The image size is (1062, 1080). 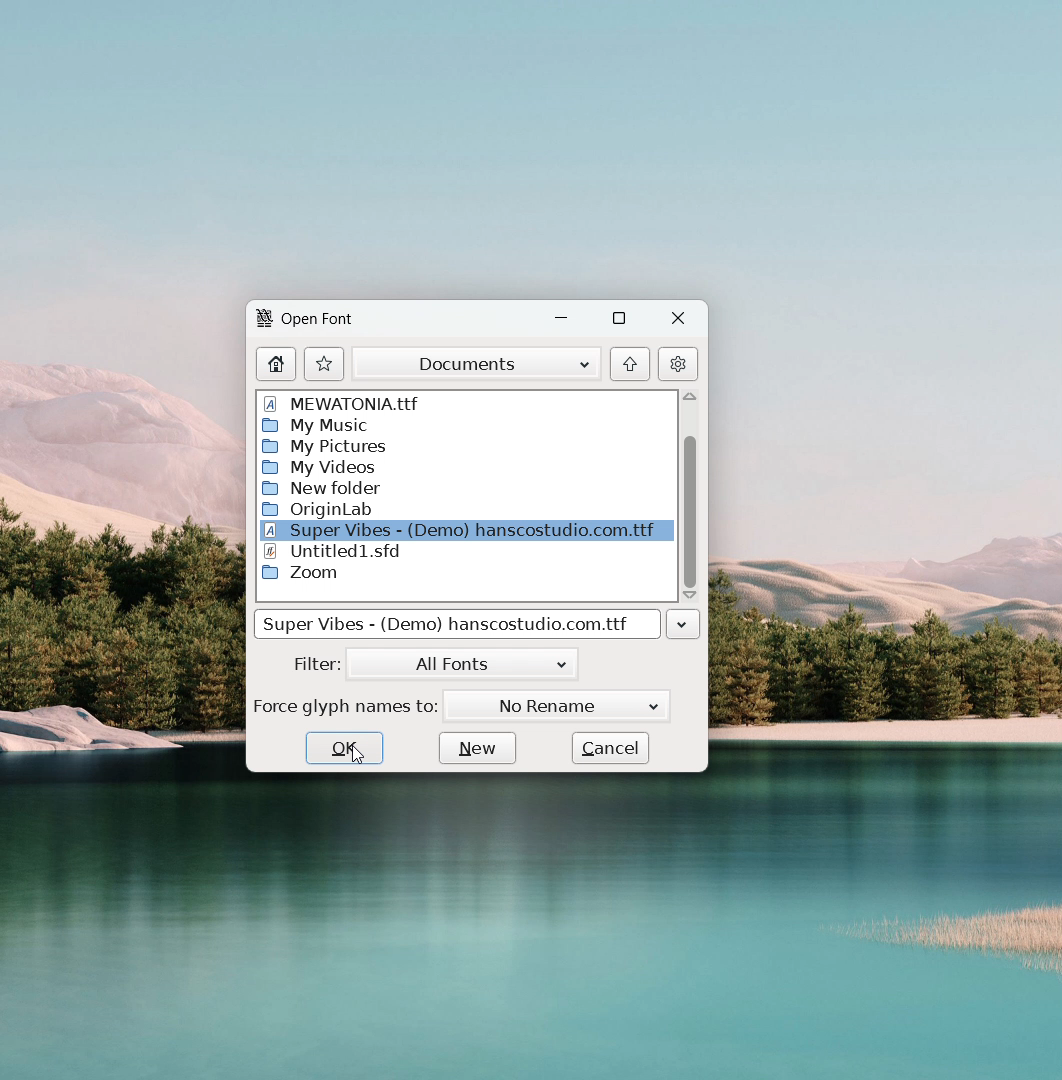 I want to click on scroll up, so click(x=689, y=396).